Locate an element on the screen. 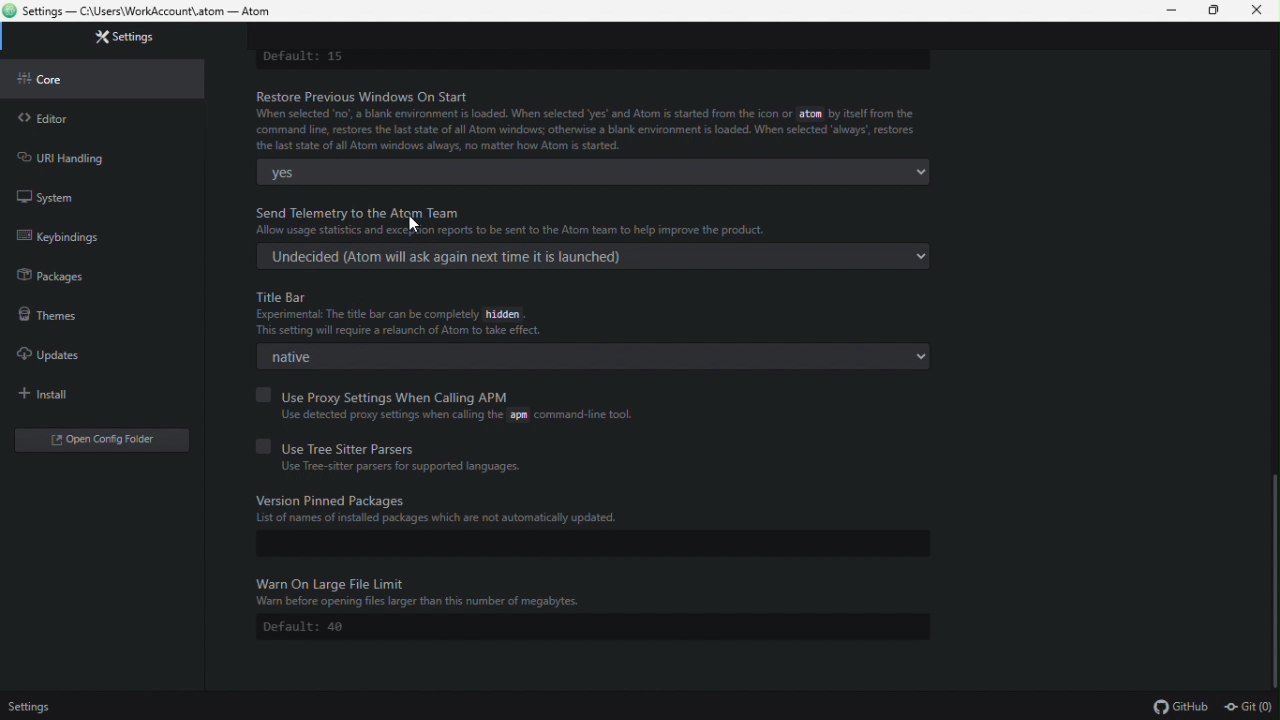 This screenshot has height=720, width=1280. Use detected proxy settings when calling the aps command-line tool. is located at coordinates (450, 417).